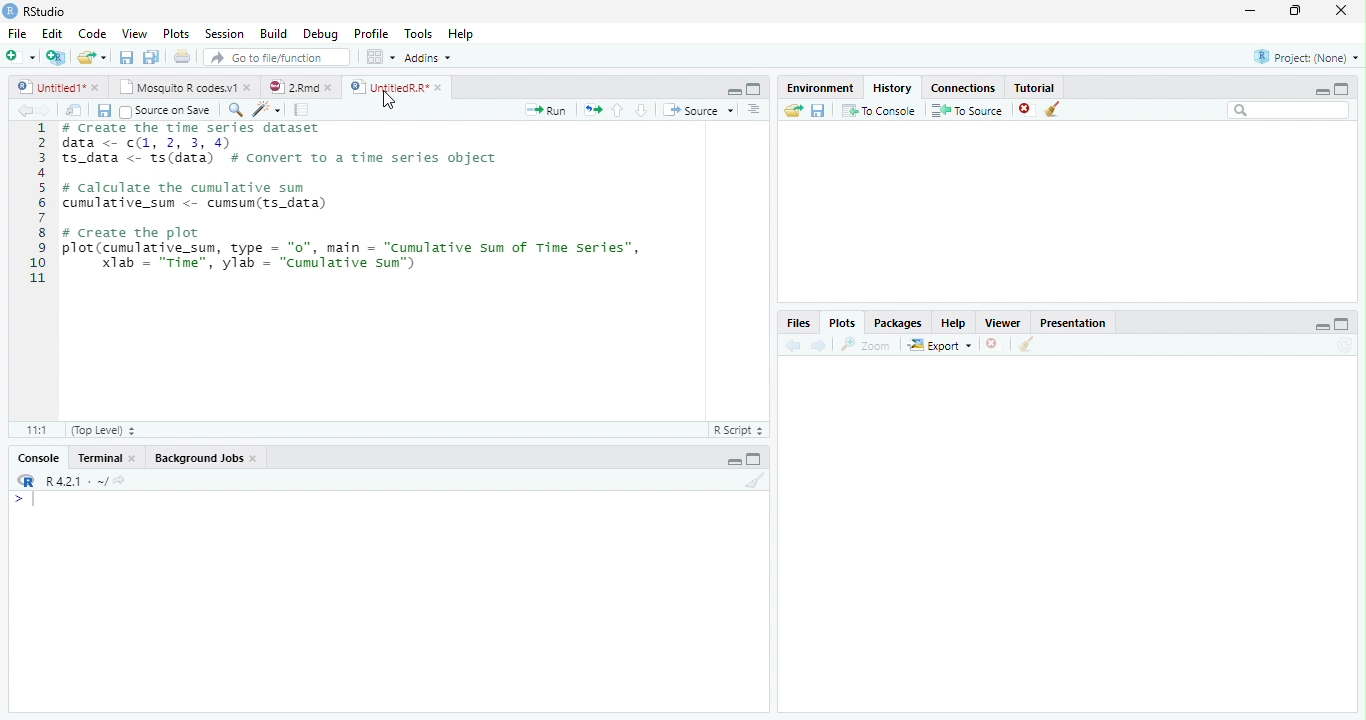 This screenshot has height=720, width=1366. Describe the element at coordinates (33, 429) in the screenshot. I see `1:1` at that location.